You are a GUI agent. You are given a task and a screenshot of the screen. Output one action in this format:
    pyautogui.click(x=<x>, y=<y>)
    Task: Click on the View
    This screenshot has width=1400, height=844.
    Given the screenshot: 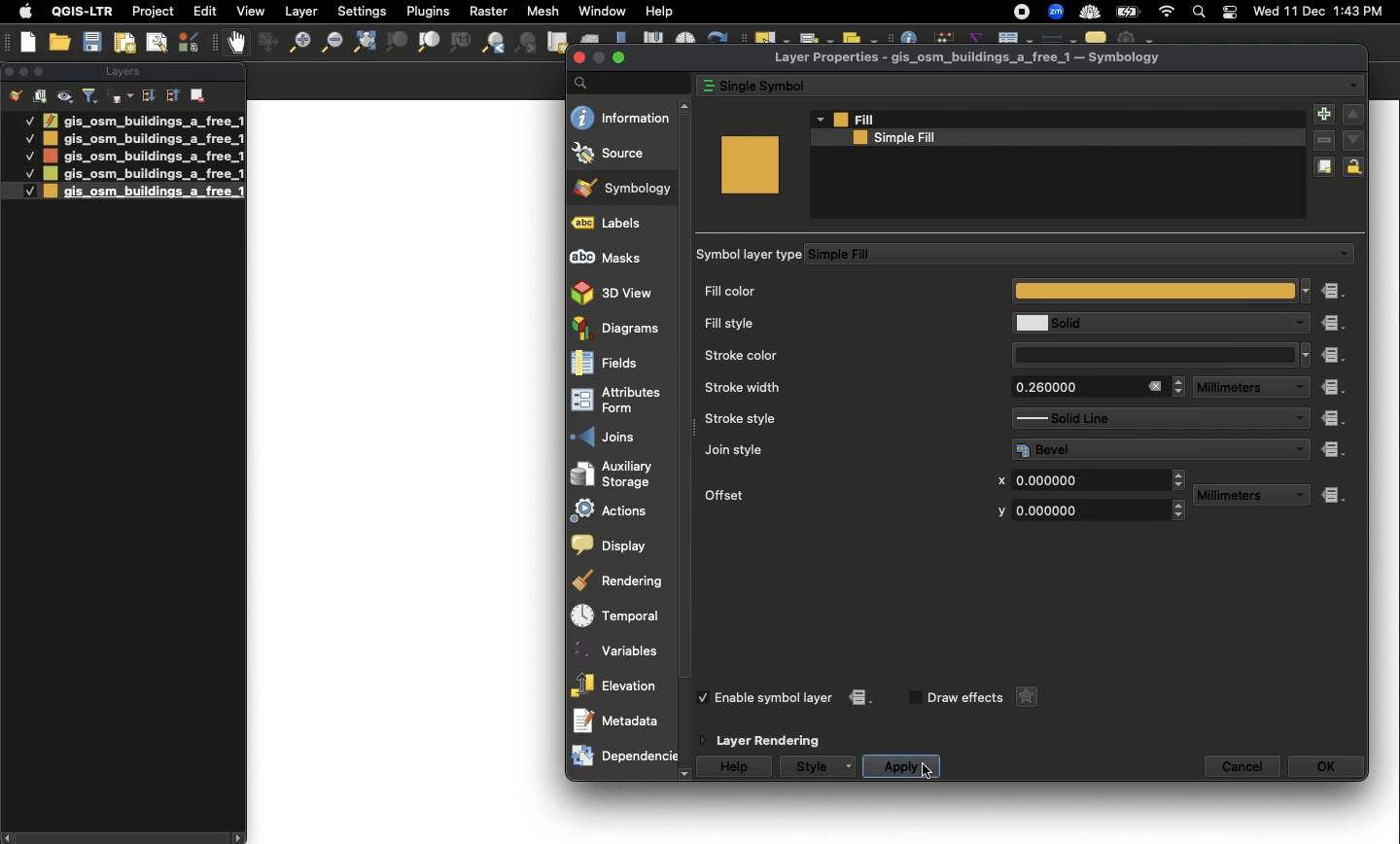 What is the action you would take?
    pyautogui.click(x=249, y=11)
    